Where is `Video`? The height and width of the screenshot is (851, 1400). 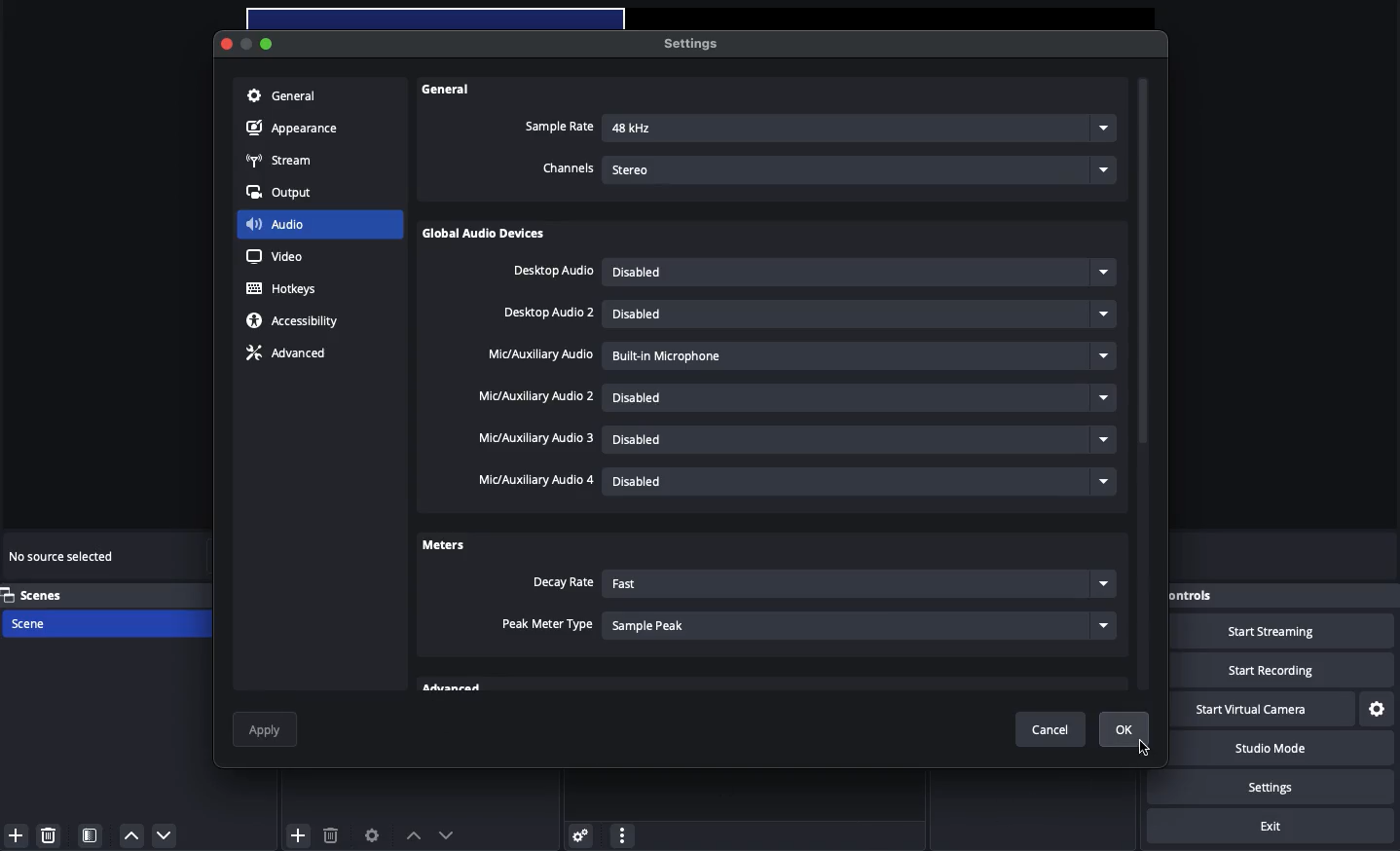 Video is located at coordinates (275, 256).